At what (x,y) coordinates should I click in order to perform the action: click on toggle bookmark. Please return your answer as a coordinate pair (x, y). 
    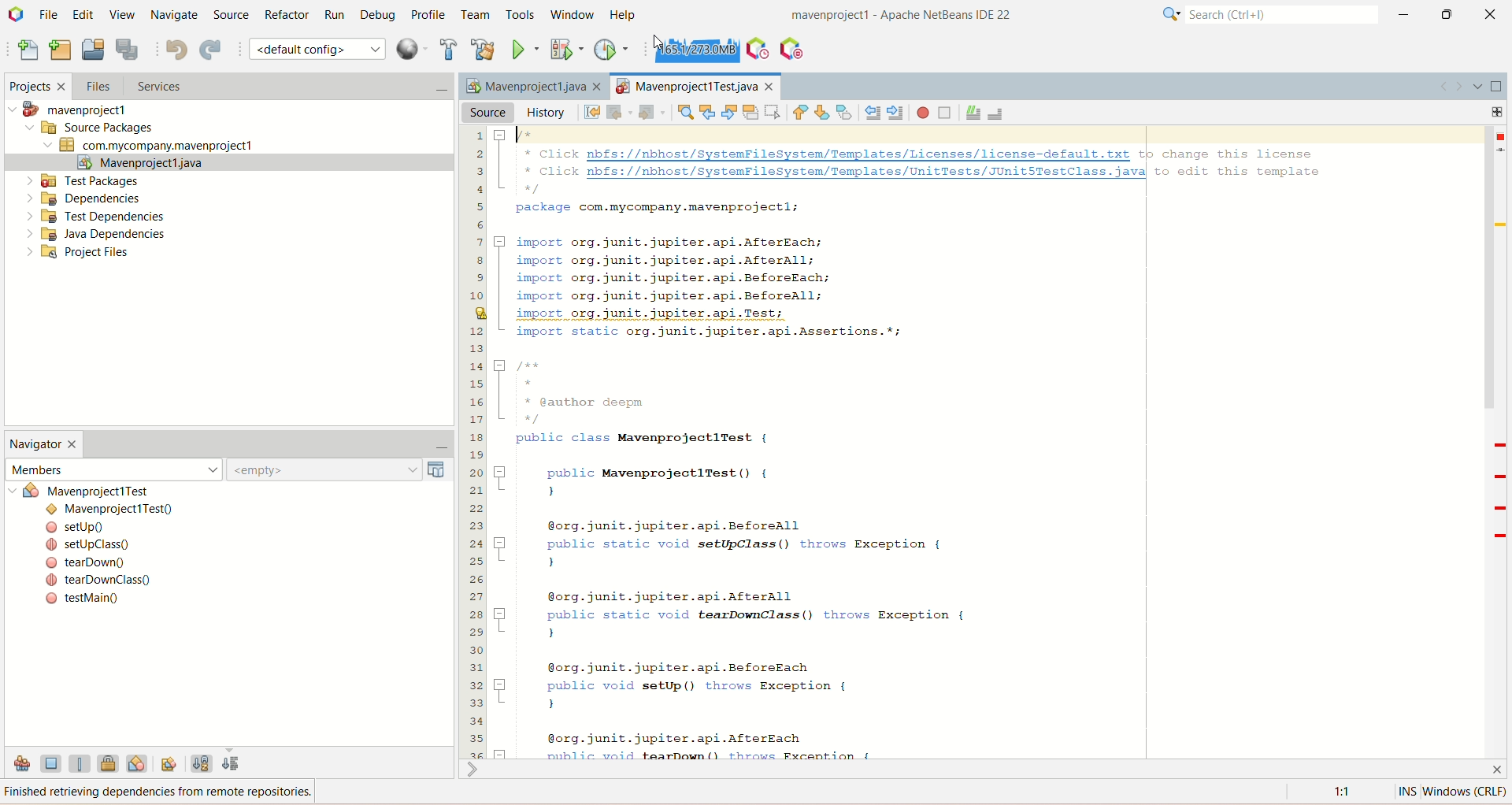
    Looking at the image, I should click on (847, 112).